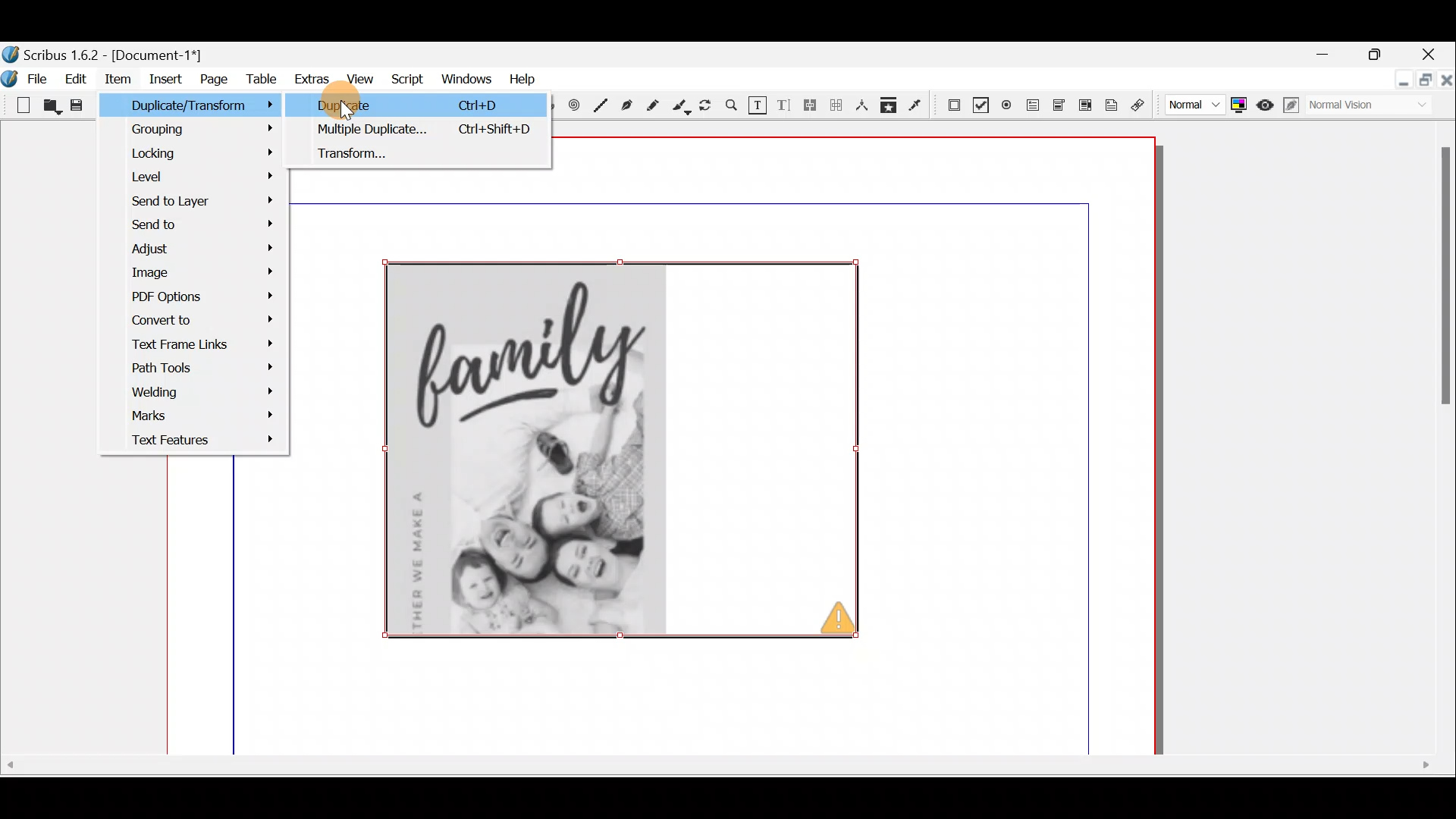 This screenshot has width=1456, height=819. I want to click on item, so click(121, 81).